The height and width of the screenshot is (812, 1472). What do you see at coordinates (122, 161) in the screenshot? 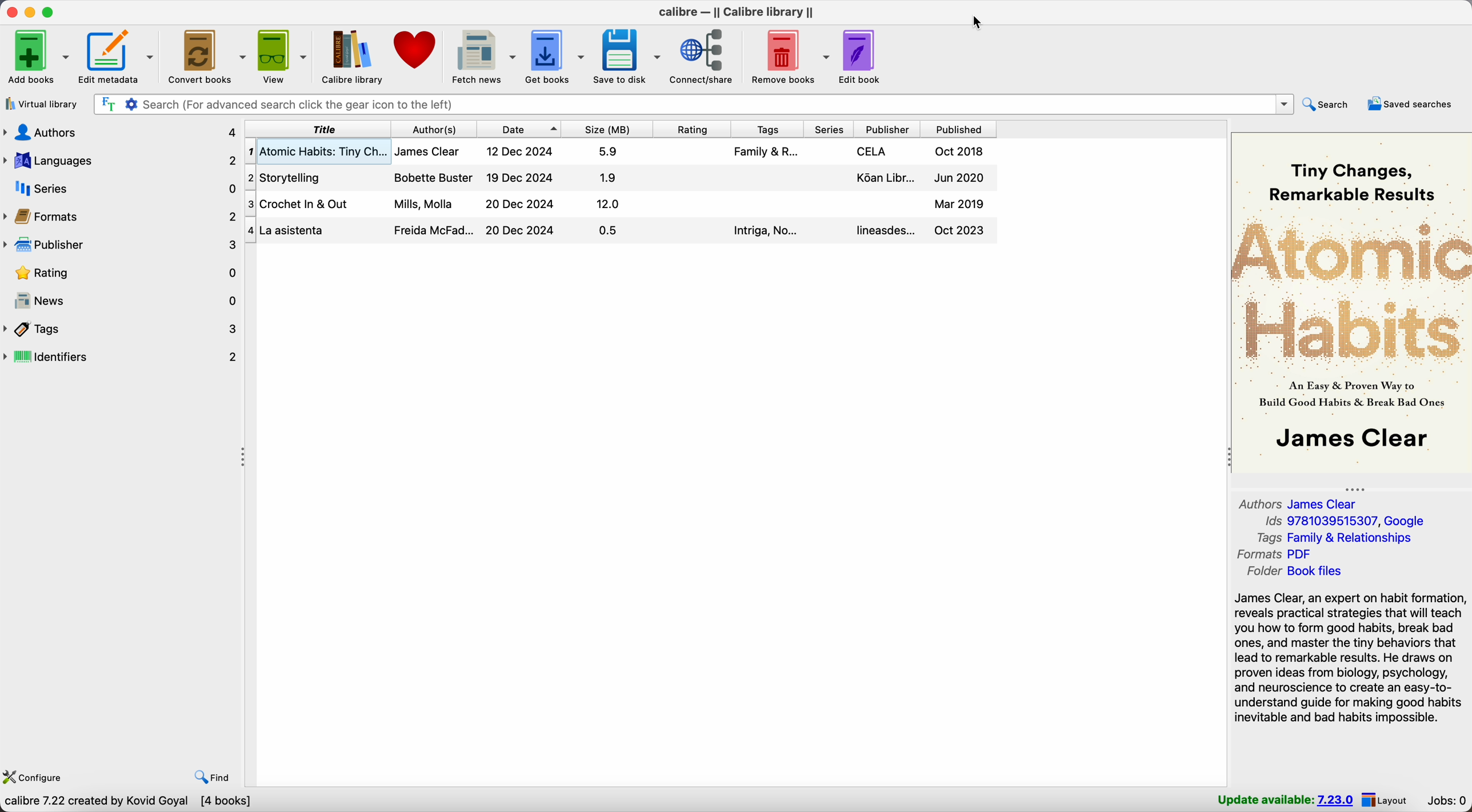
I see `languages` at bounding box center [122, 161].